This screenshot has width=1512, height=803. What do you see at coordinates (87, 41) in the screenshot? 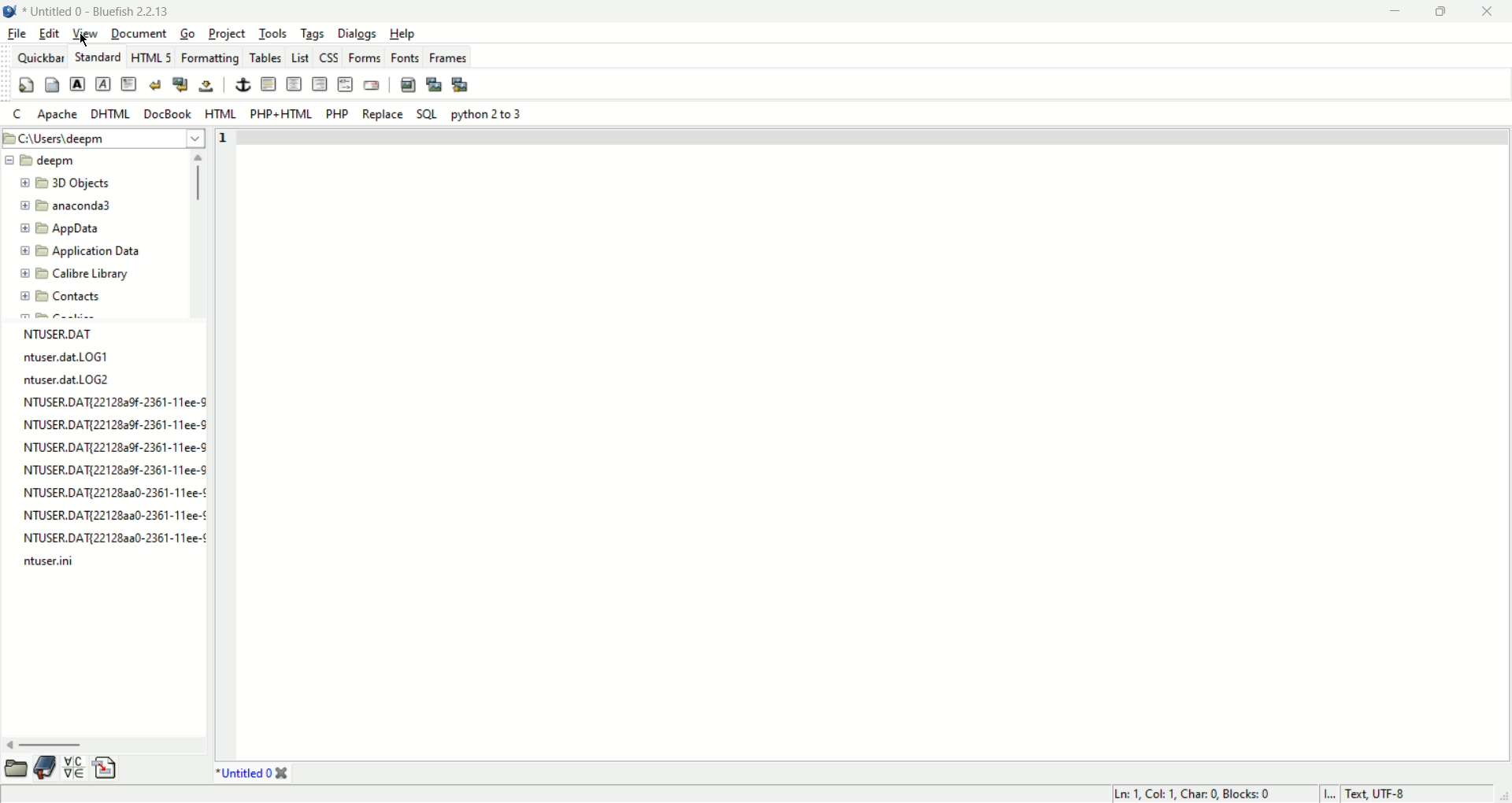
I see `cursor` at bounding box center [87, 41].